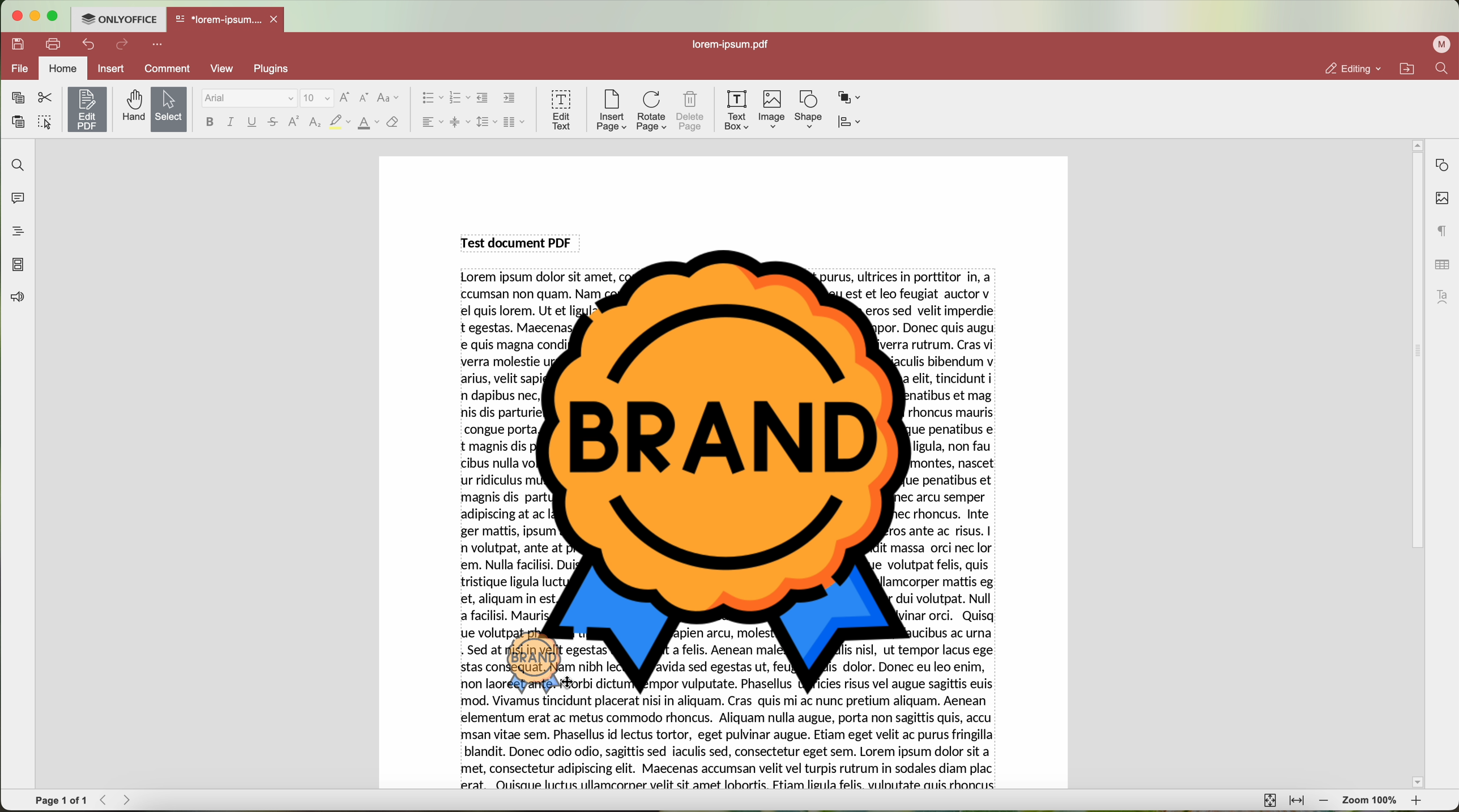  Describe the element at coordinates (737, 110) in the screenshot. I see `text box` at that location.